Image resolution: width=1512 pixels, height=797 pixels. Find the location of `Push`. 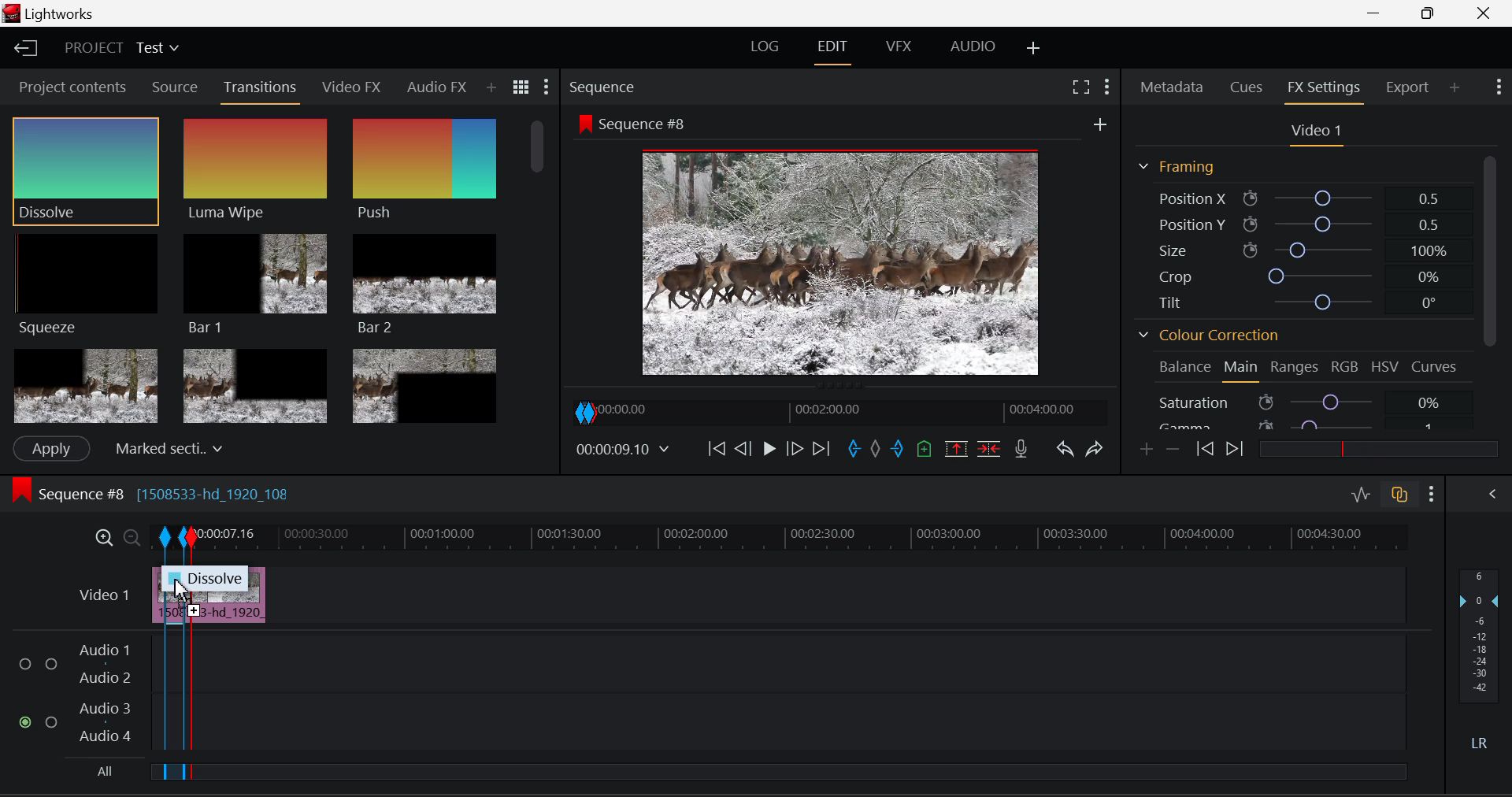

Push is located at coordinates (424, 172).